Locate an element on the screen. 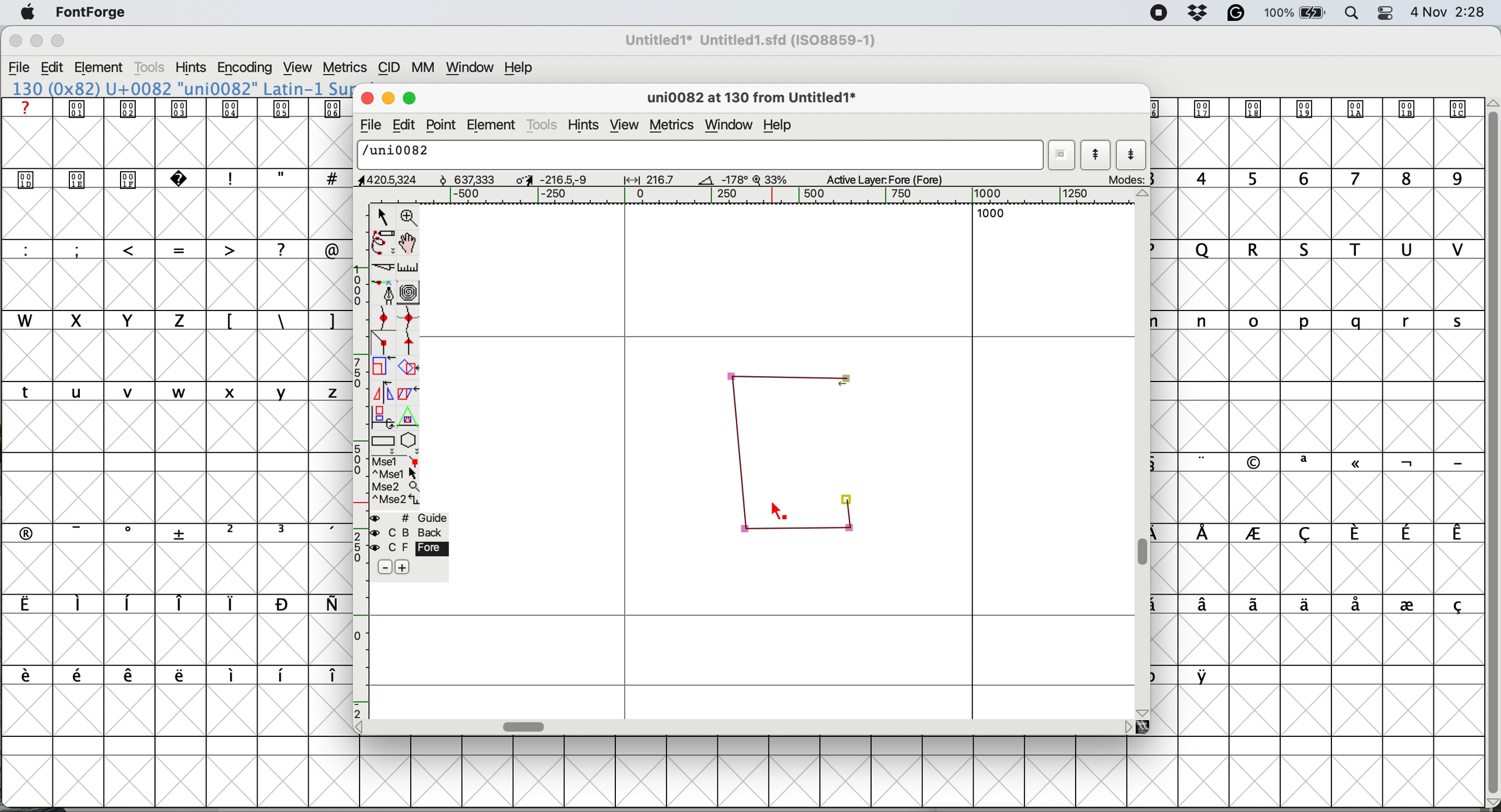  dropbox is located at coordinates (1200, 12).